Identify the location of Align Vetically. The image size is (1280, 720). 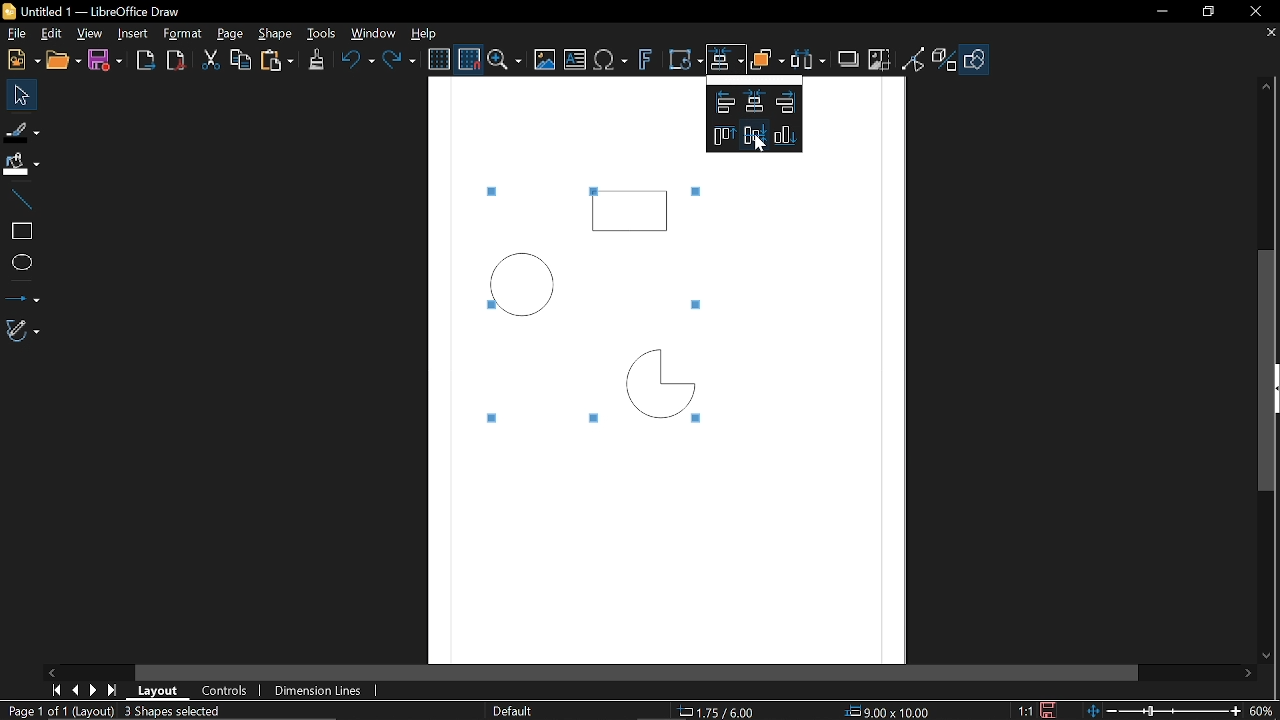
(755, 102).